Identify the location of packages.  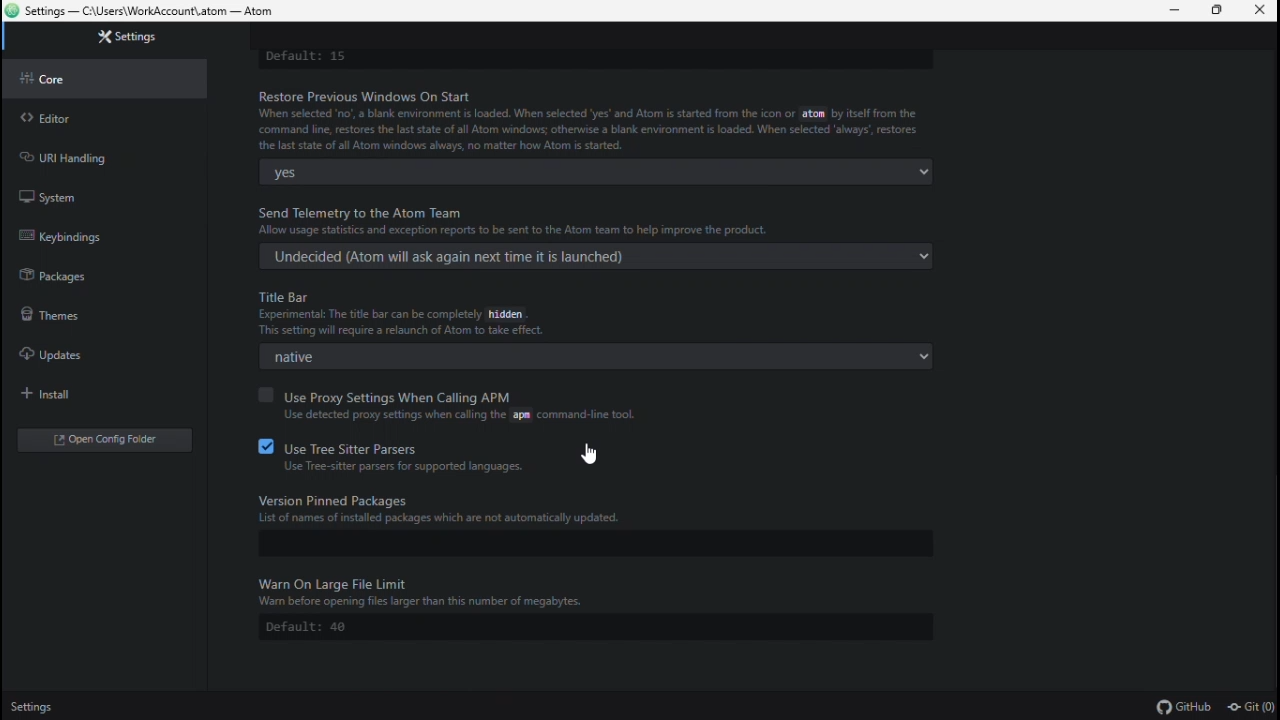
(86, 274).